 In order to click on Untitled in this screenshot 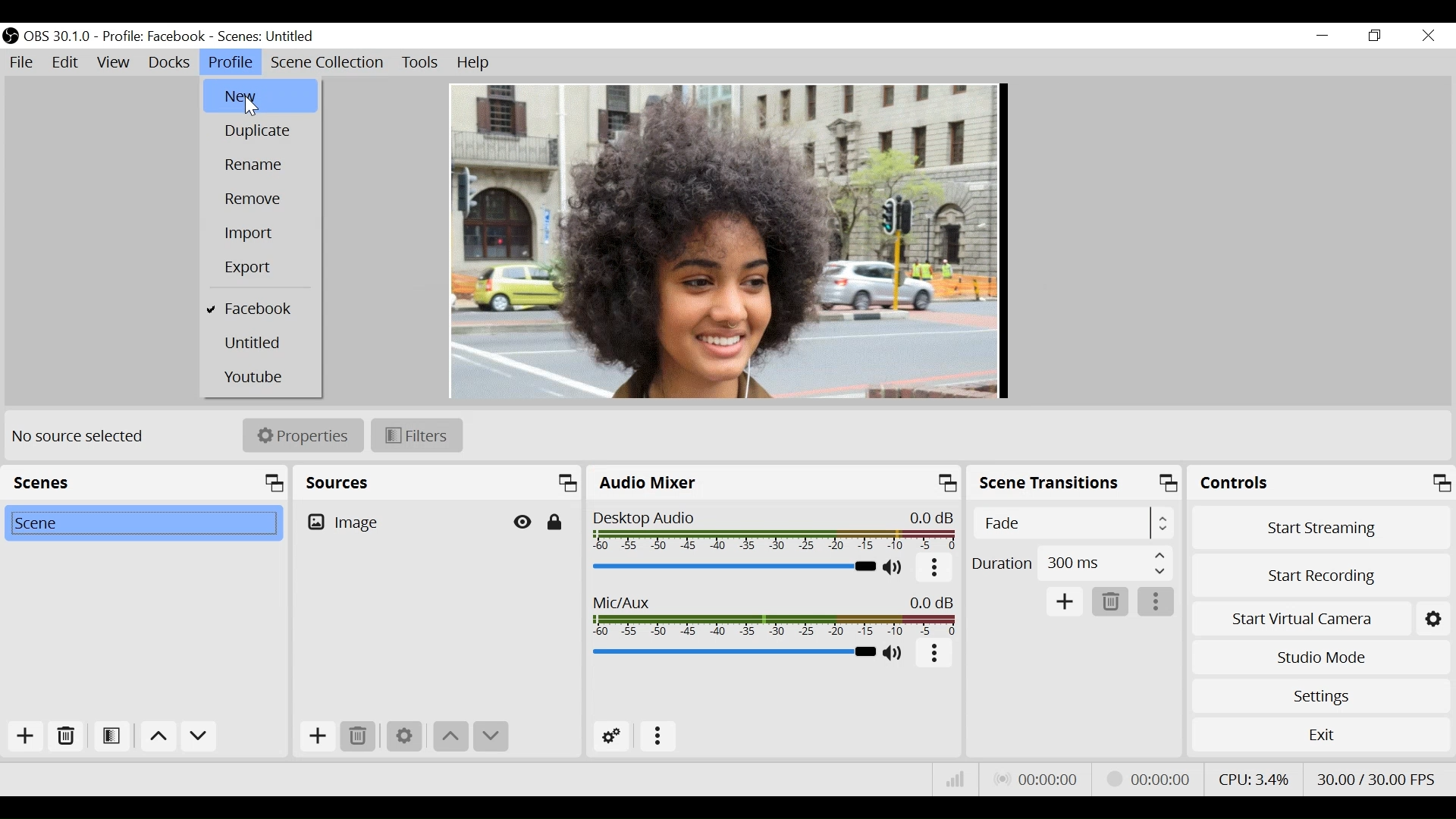, I will do `click(260, 343)`.